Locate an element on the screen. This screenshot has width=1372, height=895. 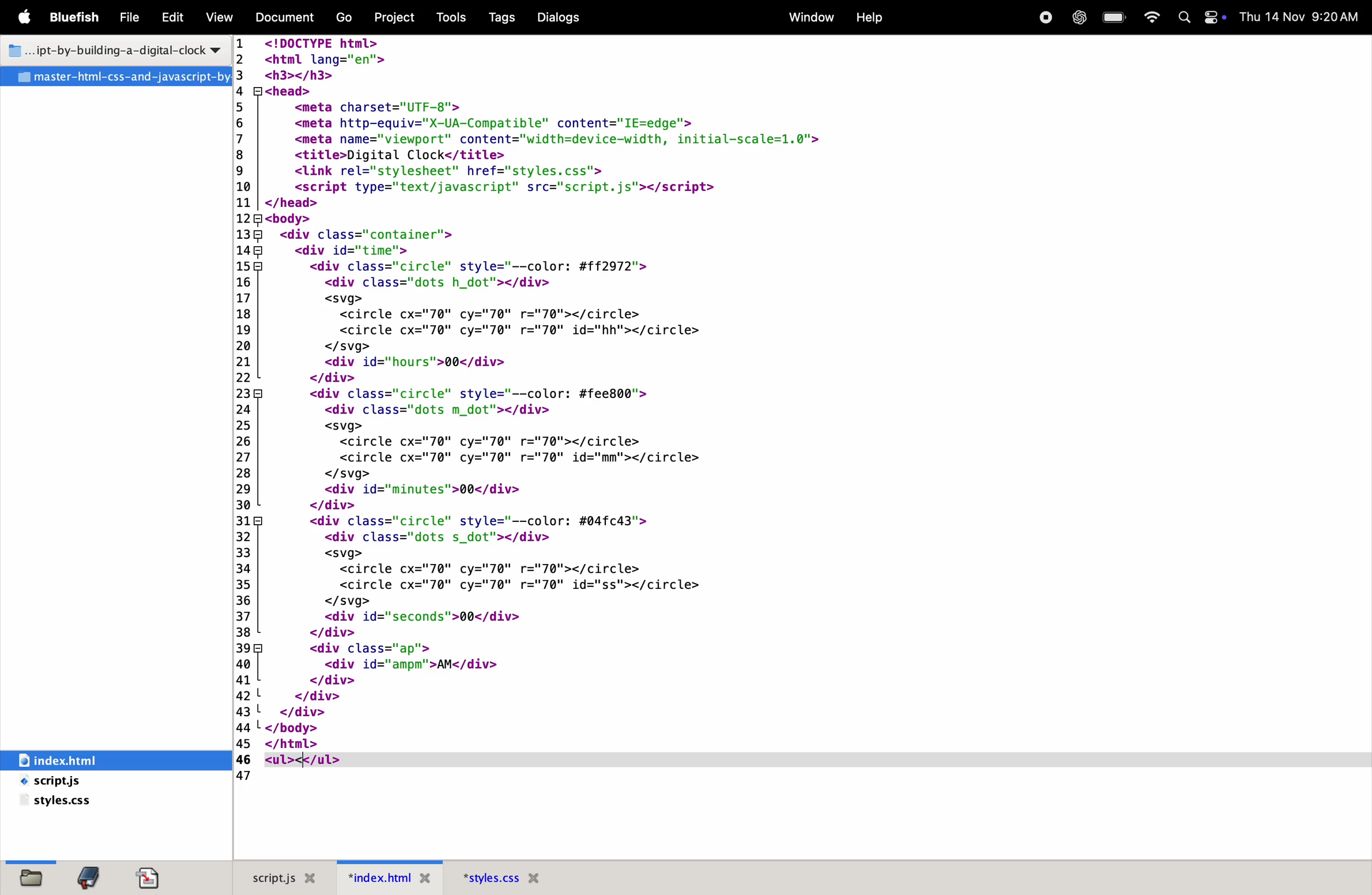
tools is located at coordinates (452, 17).